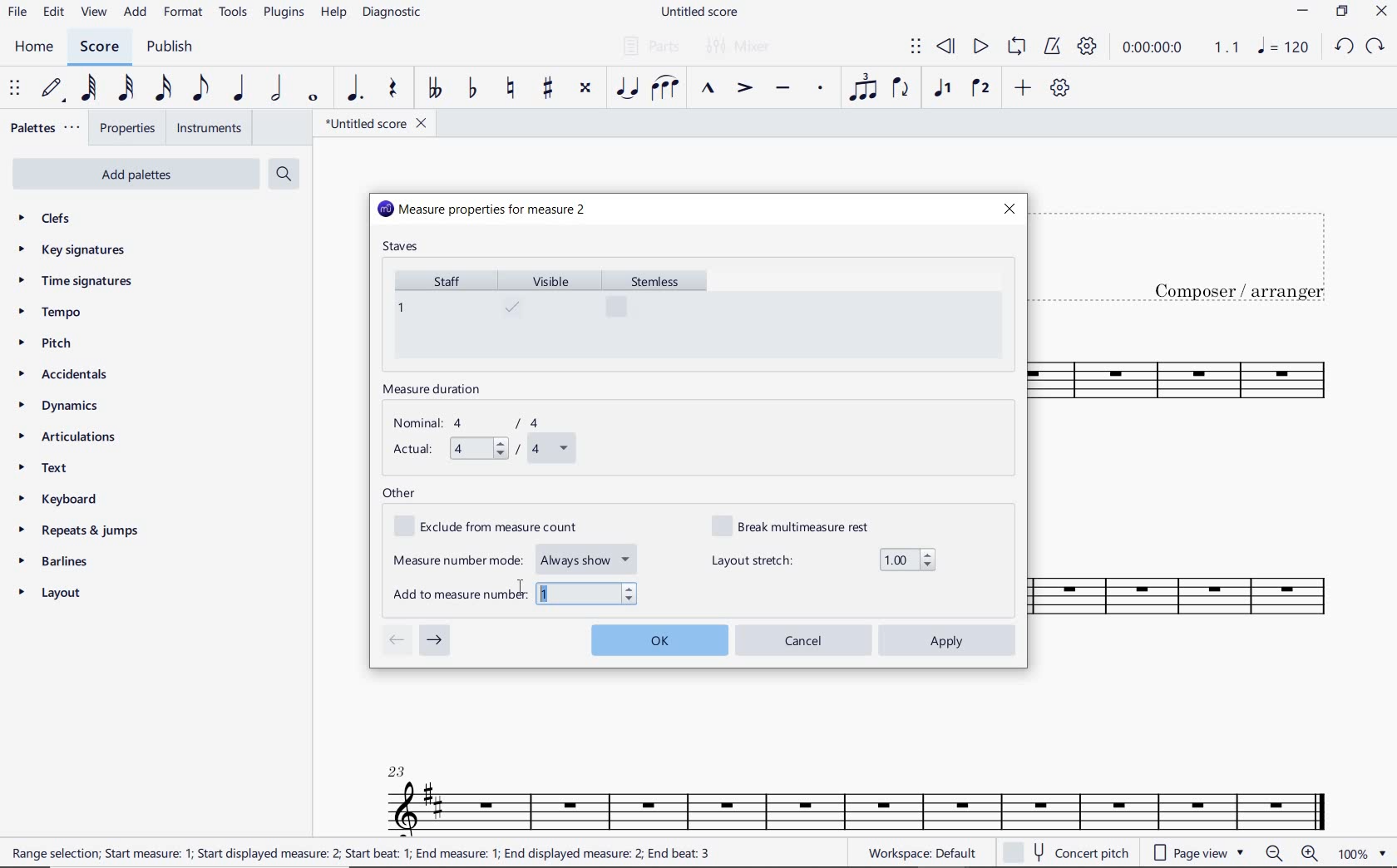 The image size is (1397, 868). What do you see at coordinates (71, 374) in the screenshot?
I see `ACCIDENTALS` at bounding box center [71, 374].